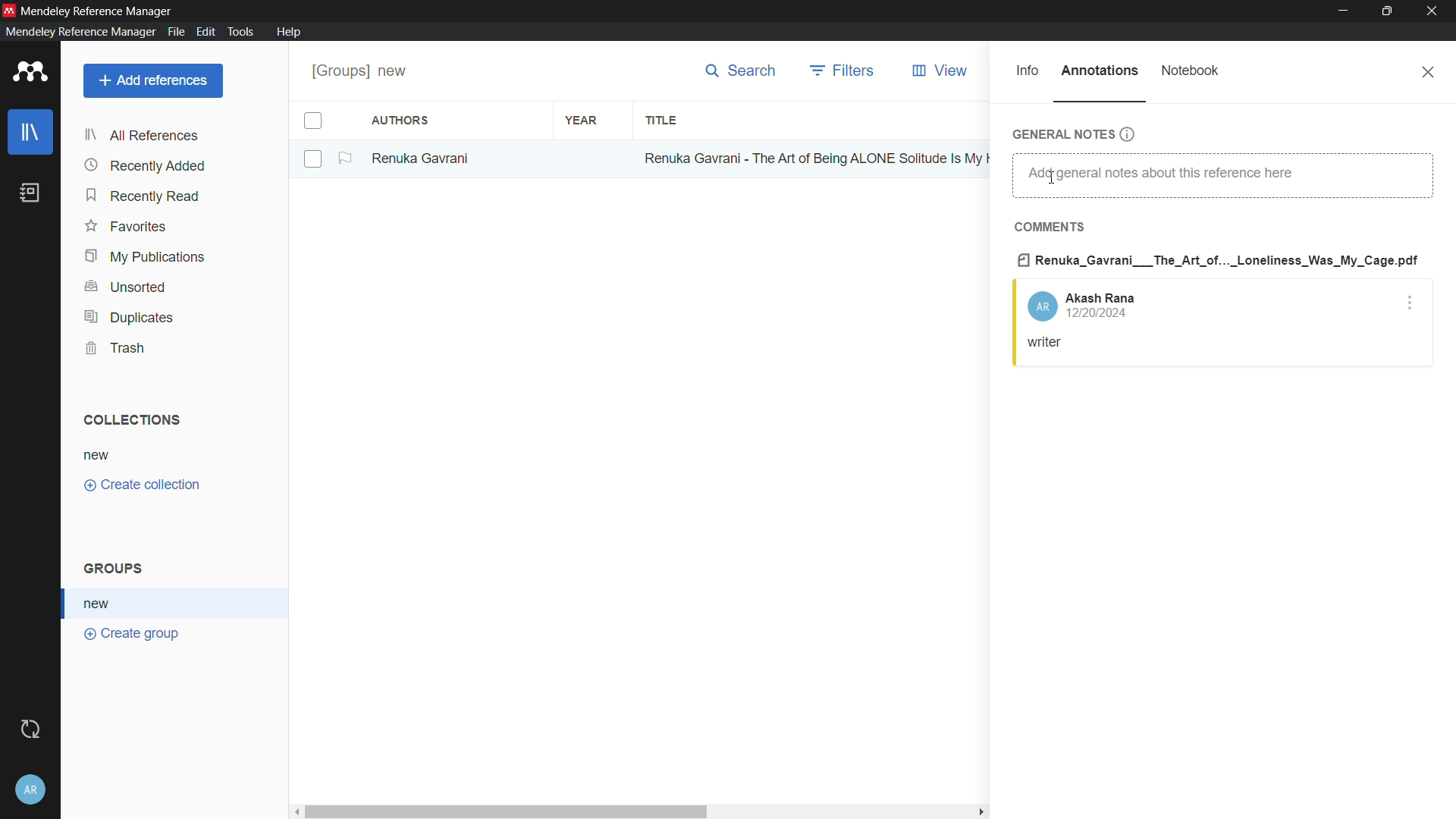  Describe the element at coordinates (1411, 304) in the screenshot. I see `more options` at that location.